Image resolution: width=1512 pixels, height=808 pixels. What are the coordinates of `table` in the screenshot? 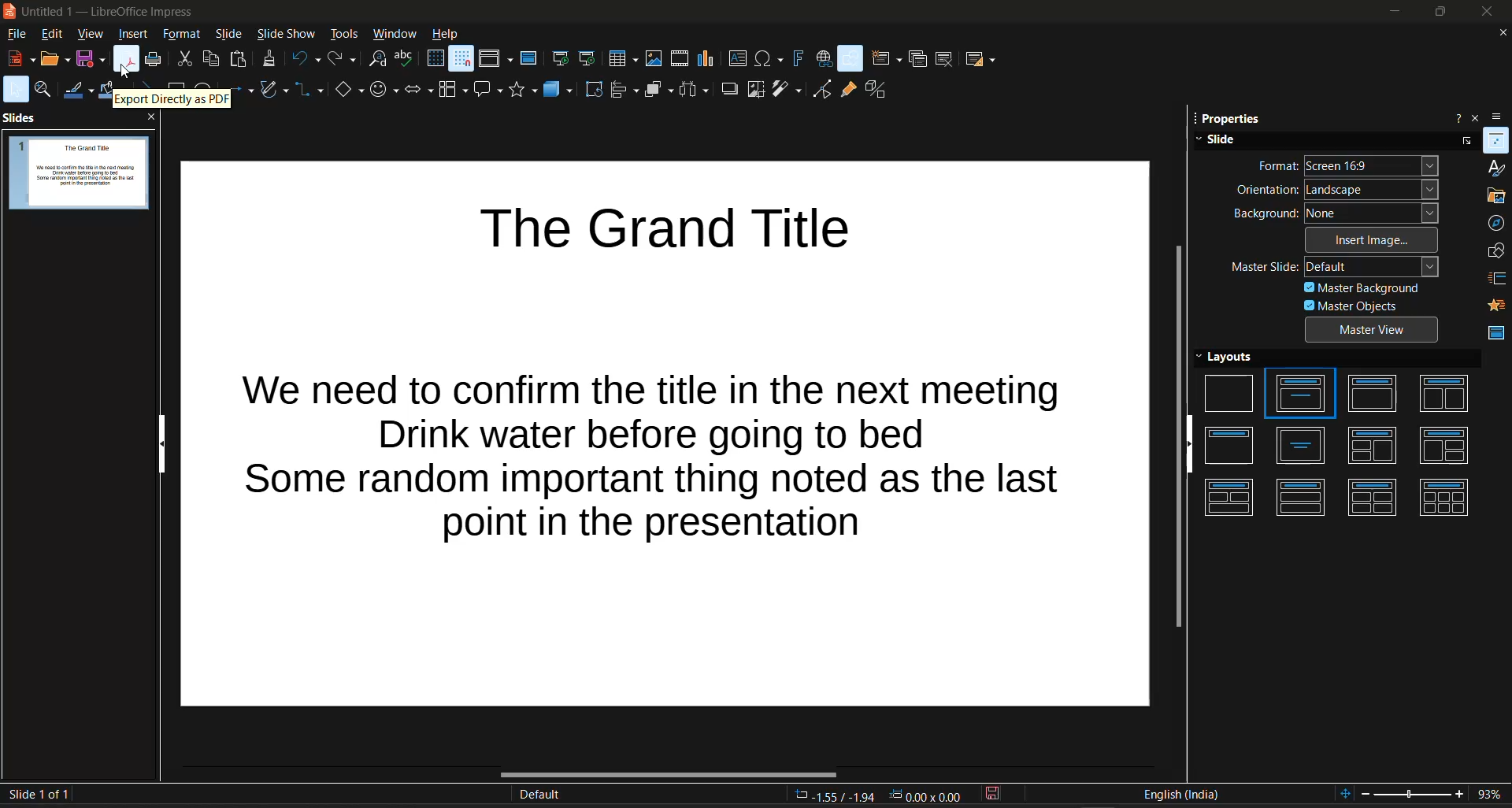 It's located at (622, 58).